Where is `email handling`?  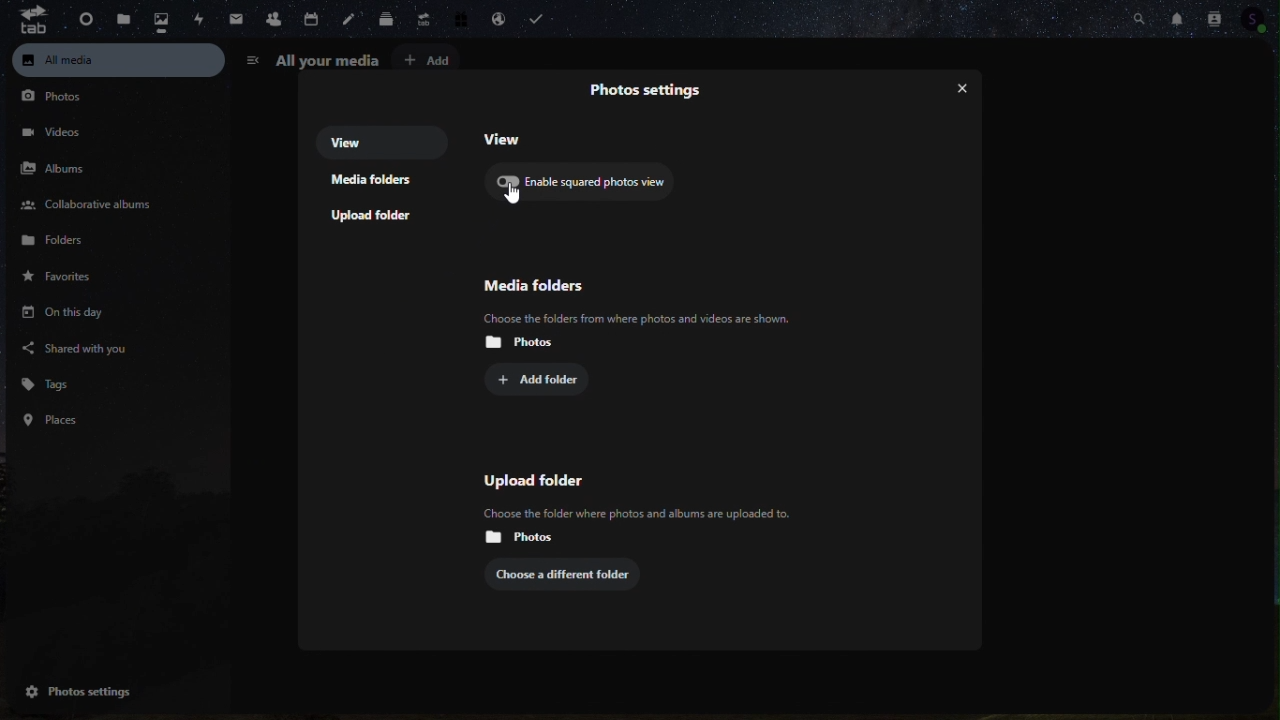
email handling is located at coordinates (500, 19).